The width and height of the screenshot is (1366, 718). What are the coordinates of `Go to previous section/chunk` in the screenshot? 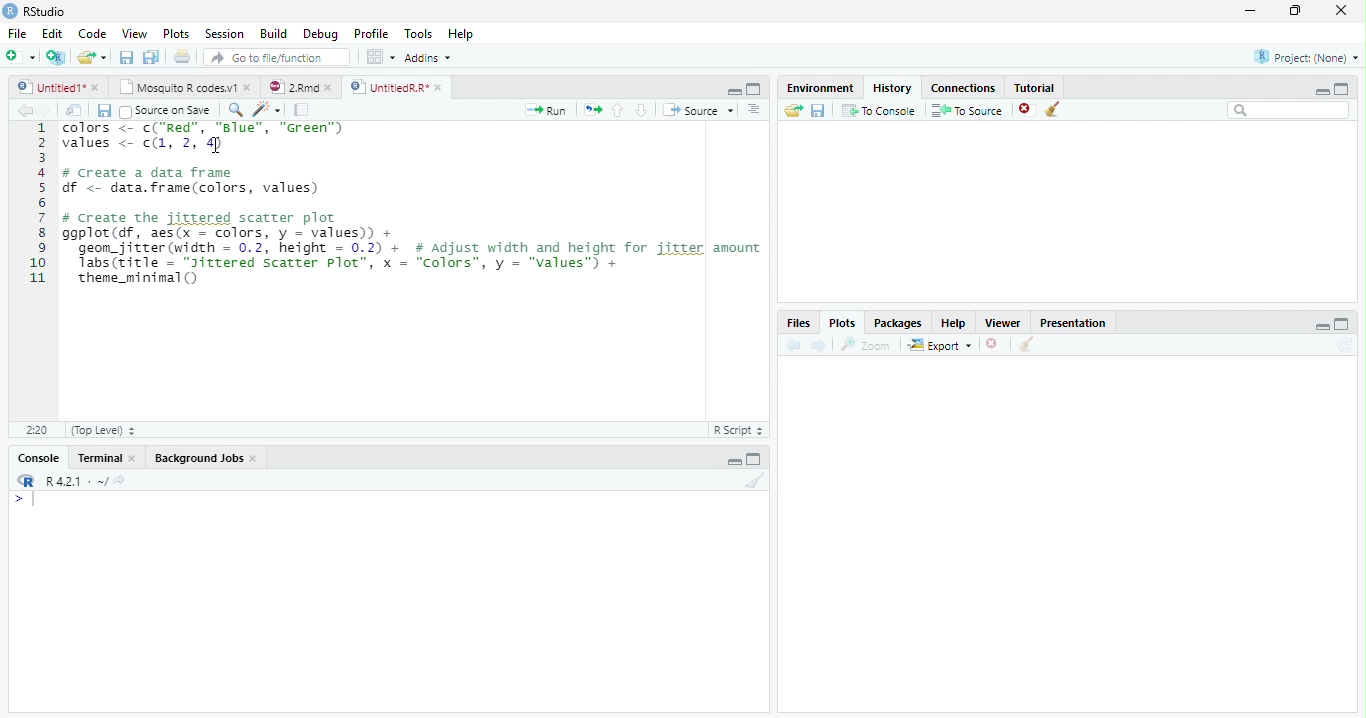 It's located at (617, 110).